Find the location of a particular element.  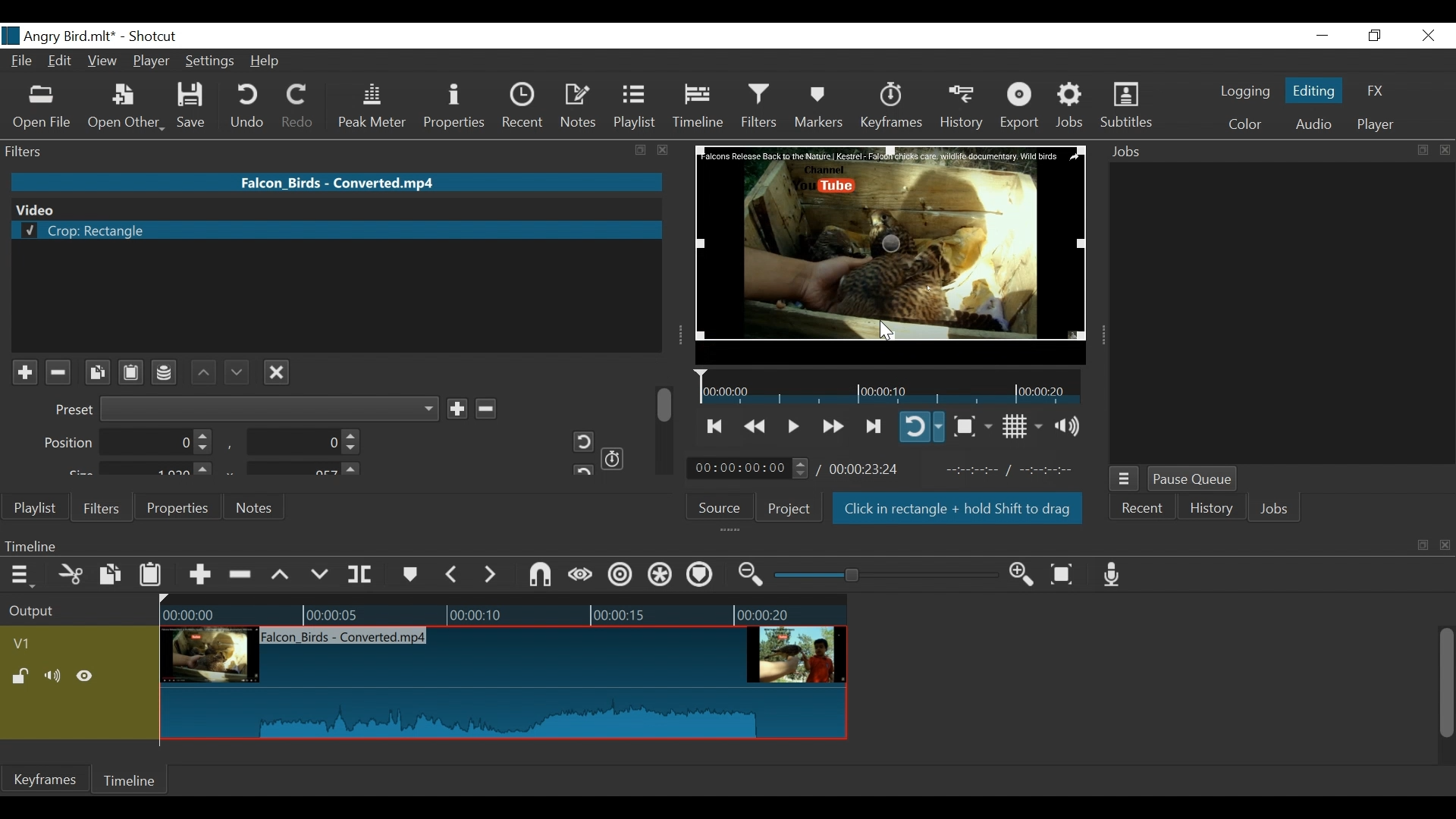

Jobs Panel is located at coordinates (1282, 312).